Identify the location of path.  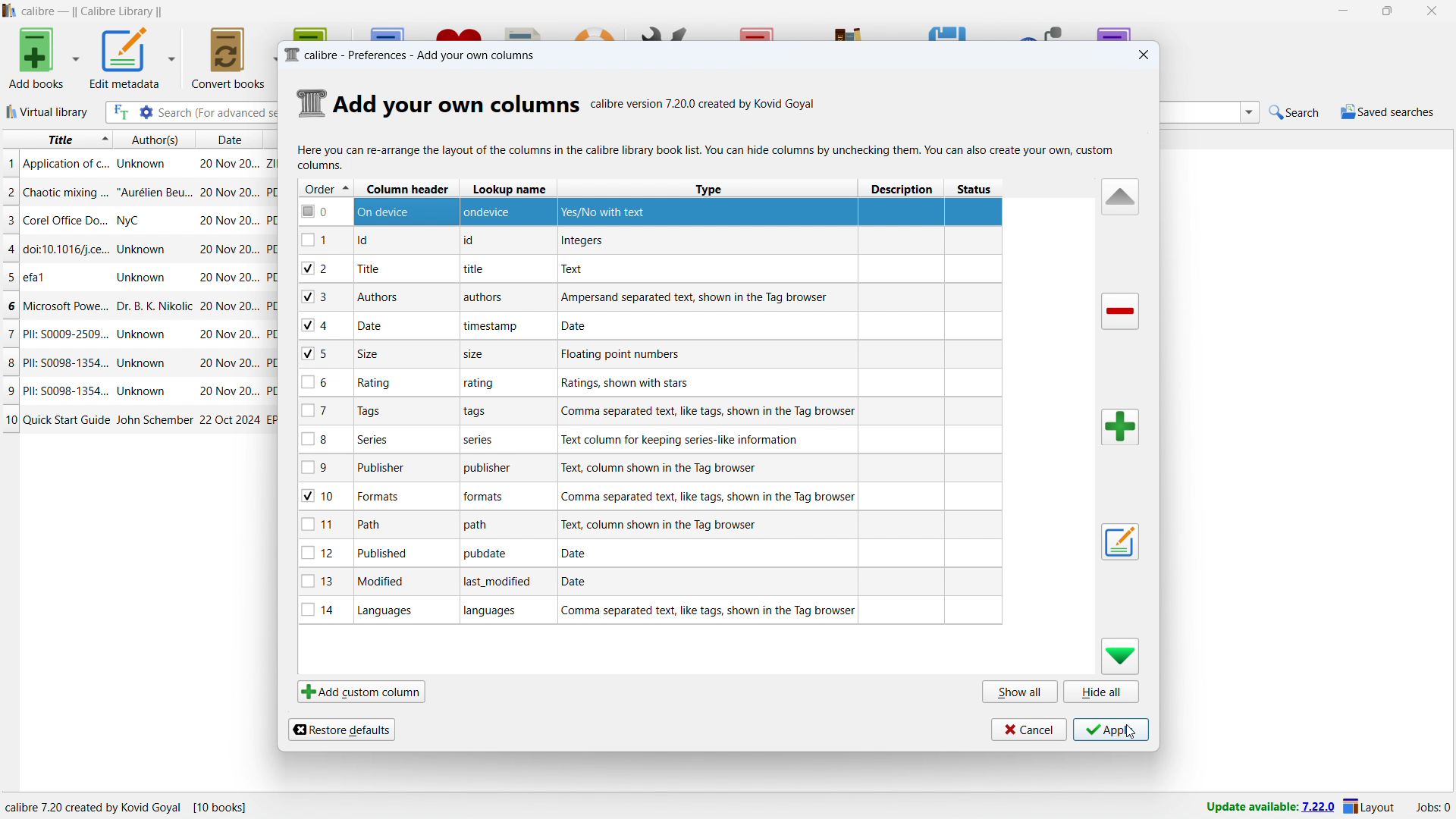
(375, 523).